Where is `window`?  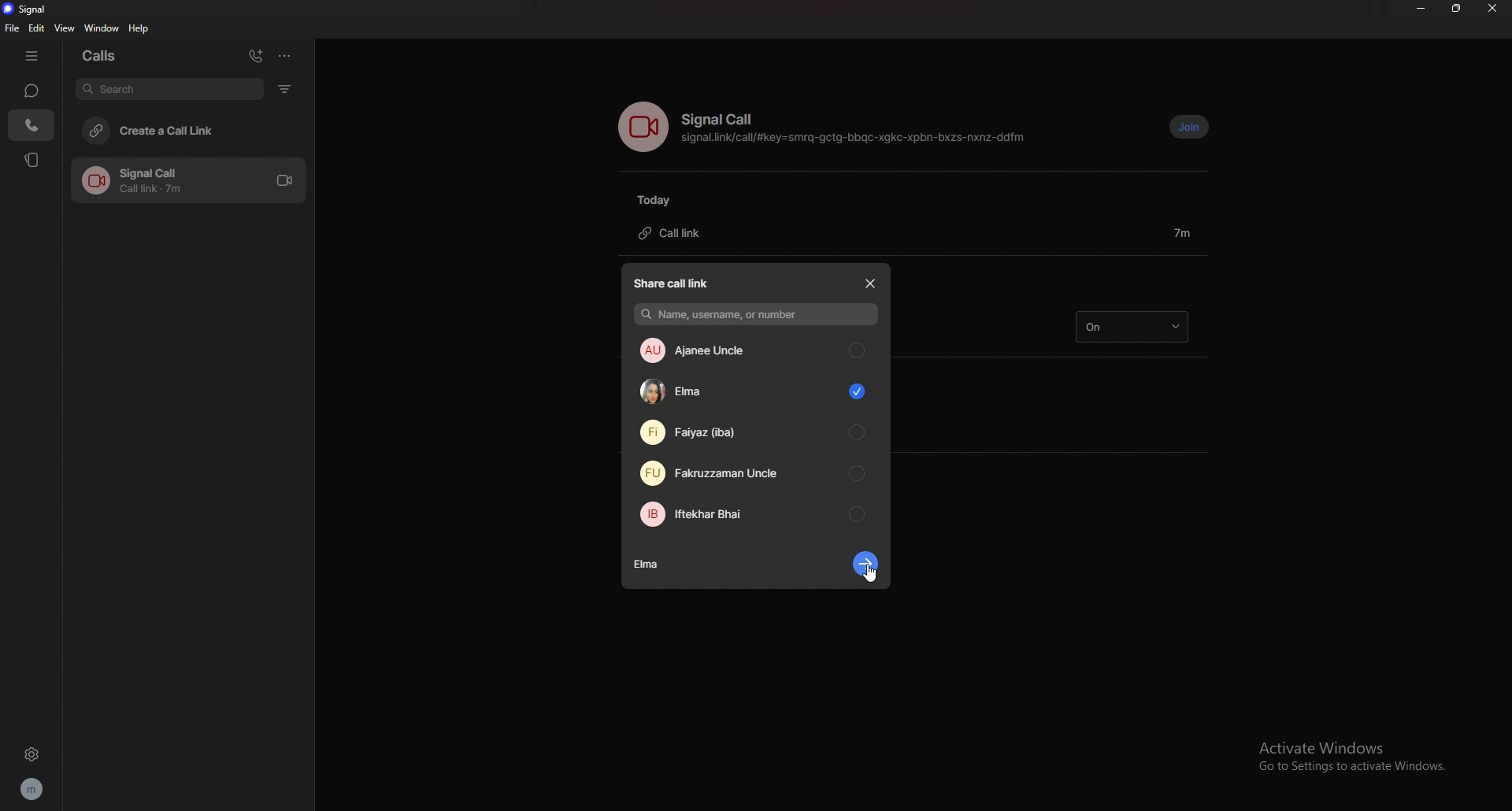 window is located at coordinates (102, 28).